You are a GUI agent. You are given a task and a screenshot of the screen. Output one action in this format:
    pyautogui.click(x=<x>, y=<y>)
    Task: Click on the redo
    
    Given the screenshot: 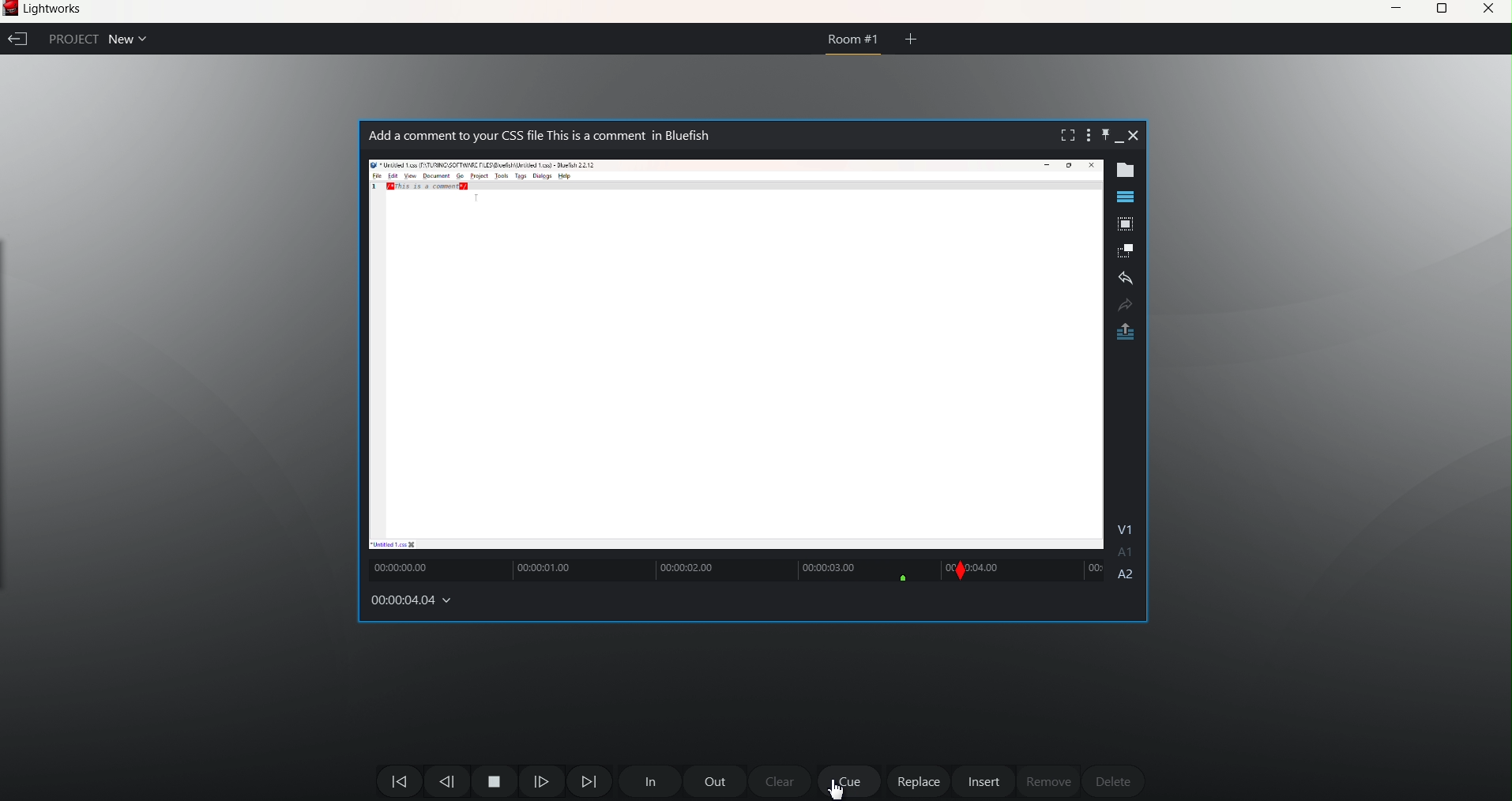 What is the action you would take?
    pyautogui.click(x=1124, y=305)
    